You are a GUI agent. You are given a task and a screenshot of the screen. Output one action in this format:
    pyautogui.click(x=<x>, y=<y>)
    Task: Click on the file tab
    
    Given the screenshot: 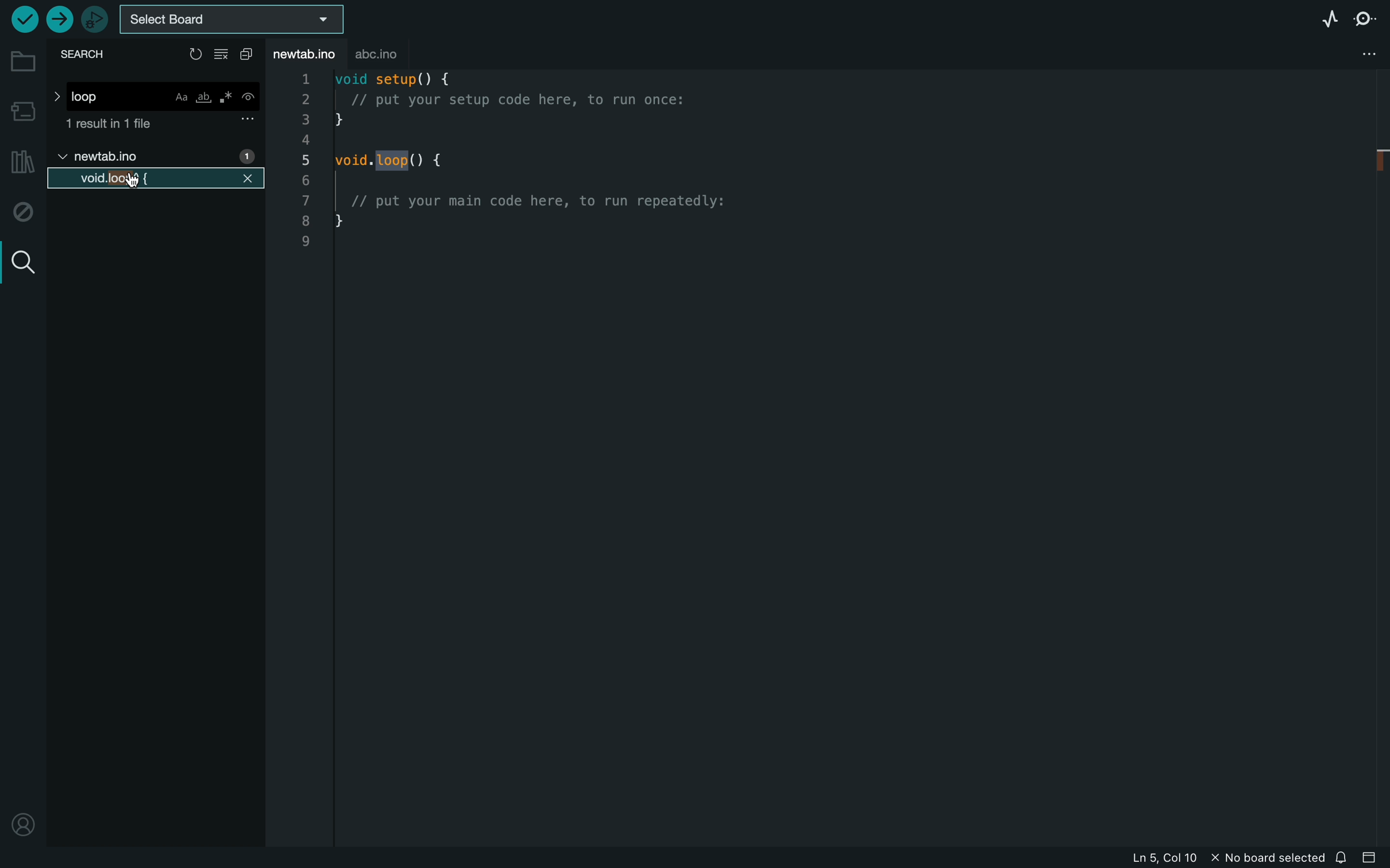 What is the action you would take?
    pyautogui.click(x=308, y=52)
    